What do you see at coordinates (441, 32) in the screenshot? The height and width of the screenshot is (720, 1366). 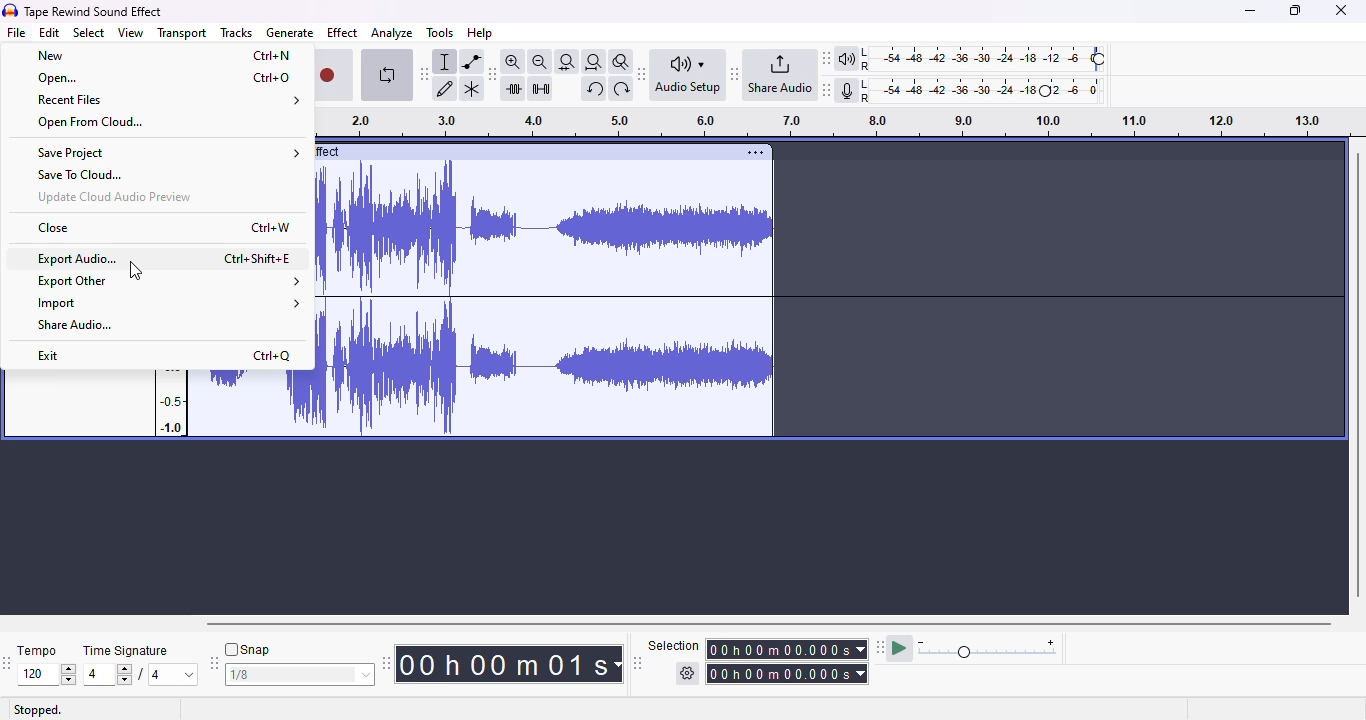 I see `tools` at bounding box center [441, 32].